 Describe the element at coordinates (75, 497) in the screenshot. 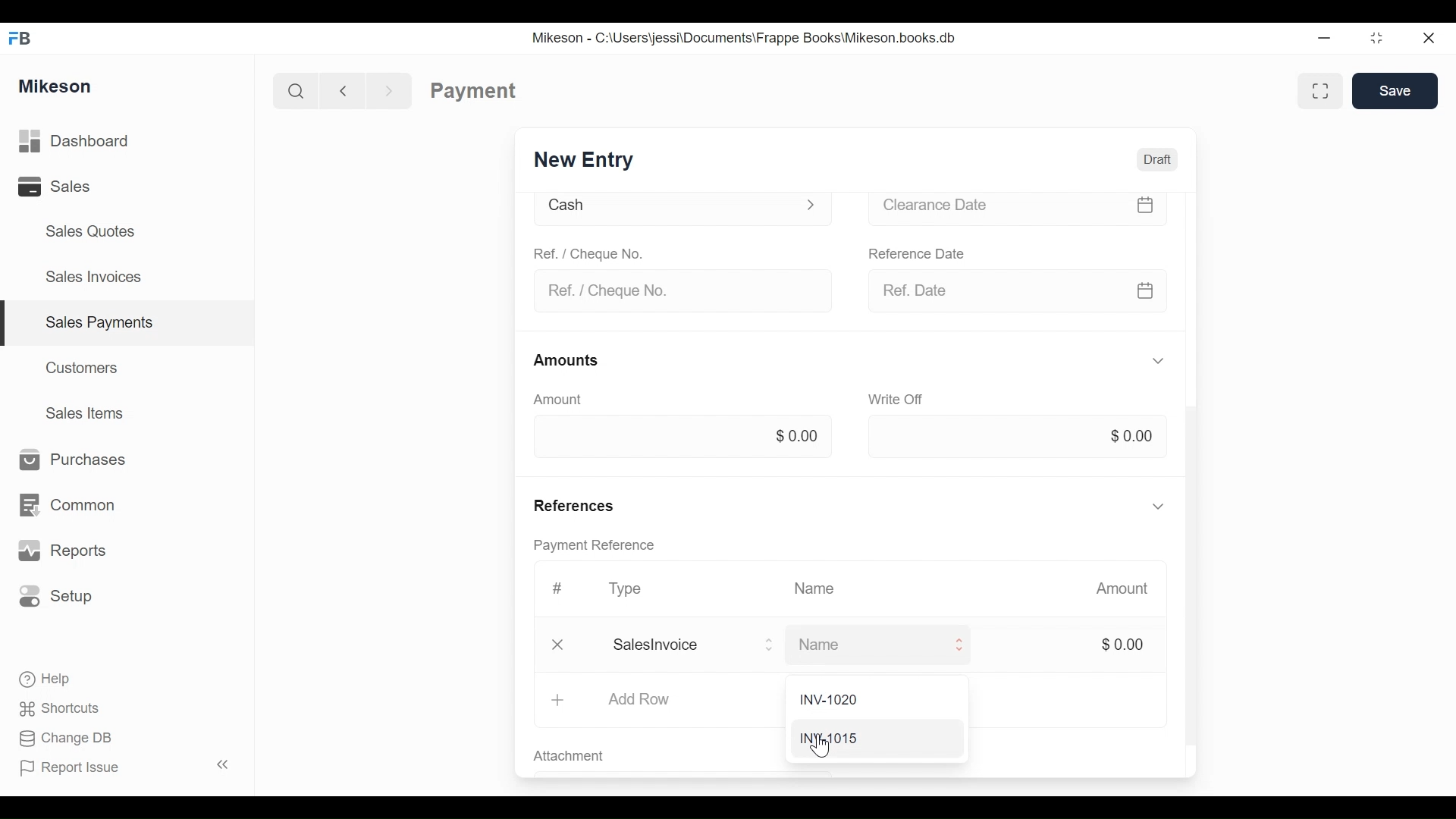

I see `Common` at that location.